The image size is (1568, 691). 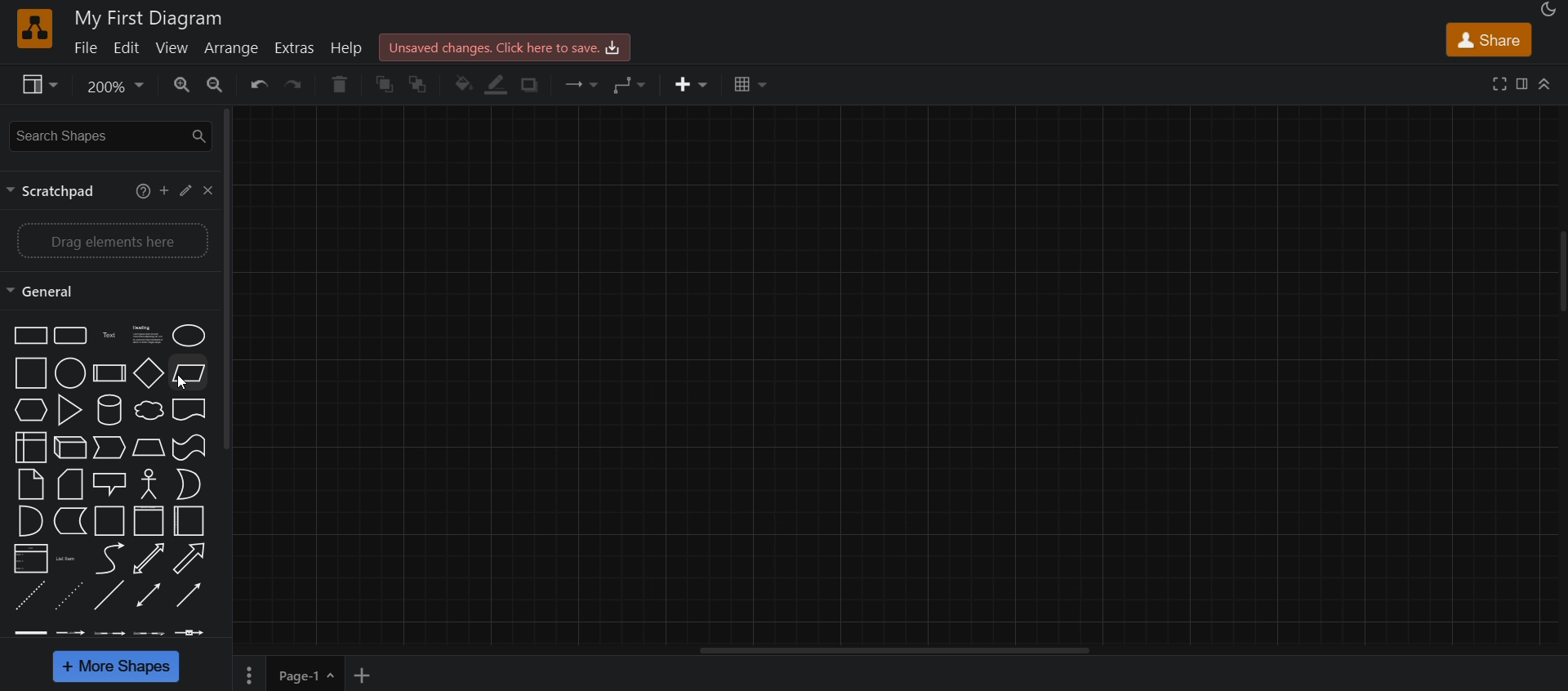 What do you see at coordinates (211, 190) in the screenshot?
I see `close` at bounding box center [211, 190].